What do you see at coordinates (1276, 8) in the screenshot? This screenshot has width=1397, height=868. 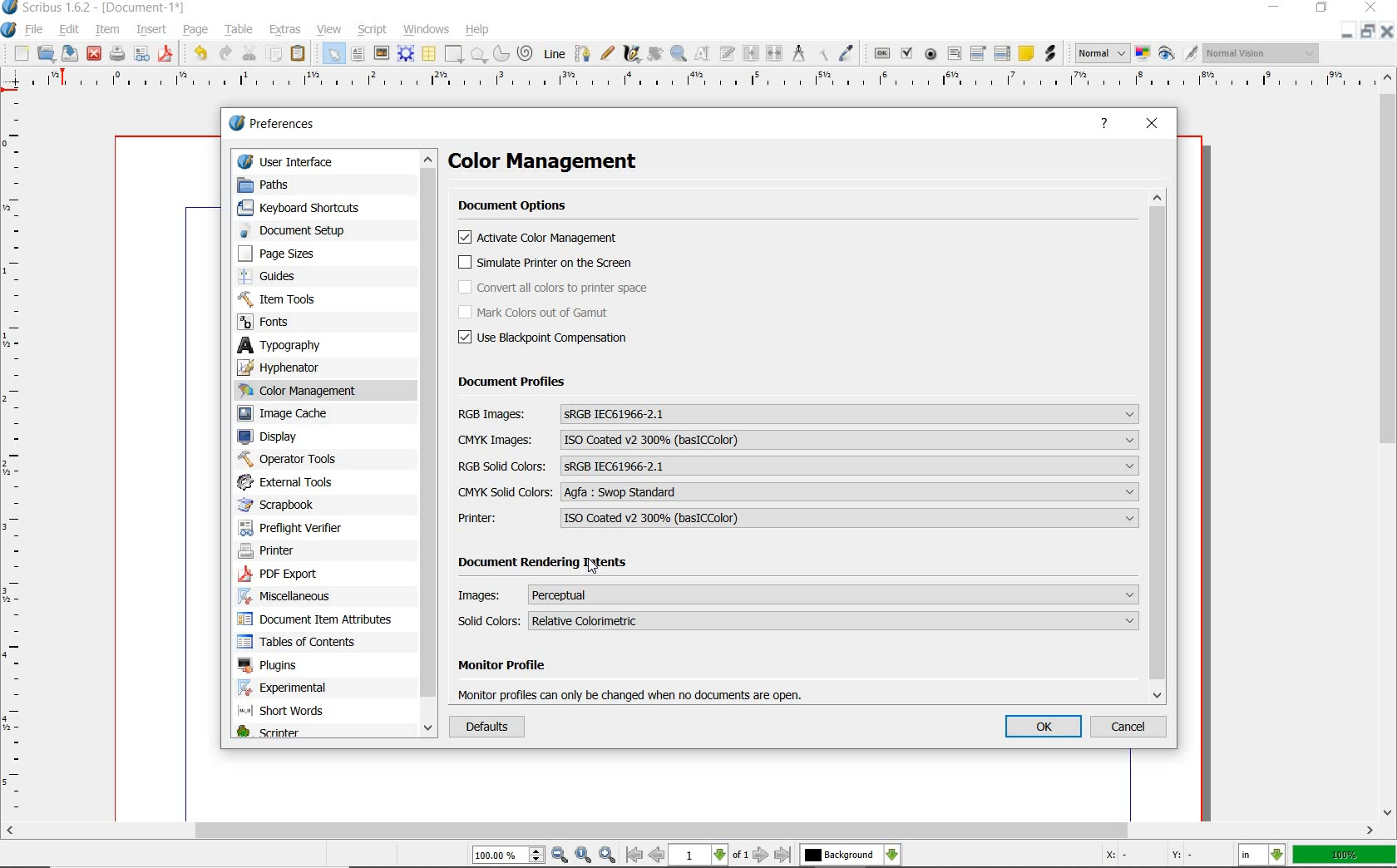 I see `minimize` at bounding box center [1276, 8].